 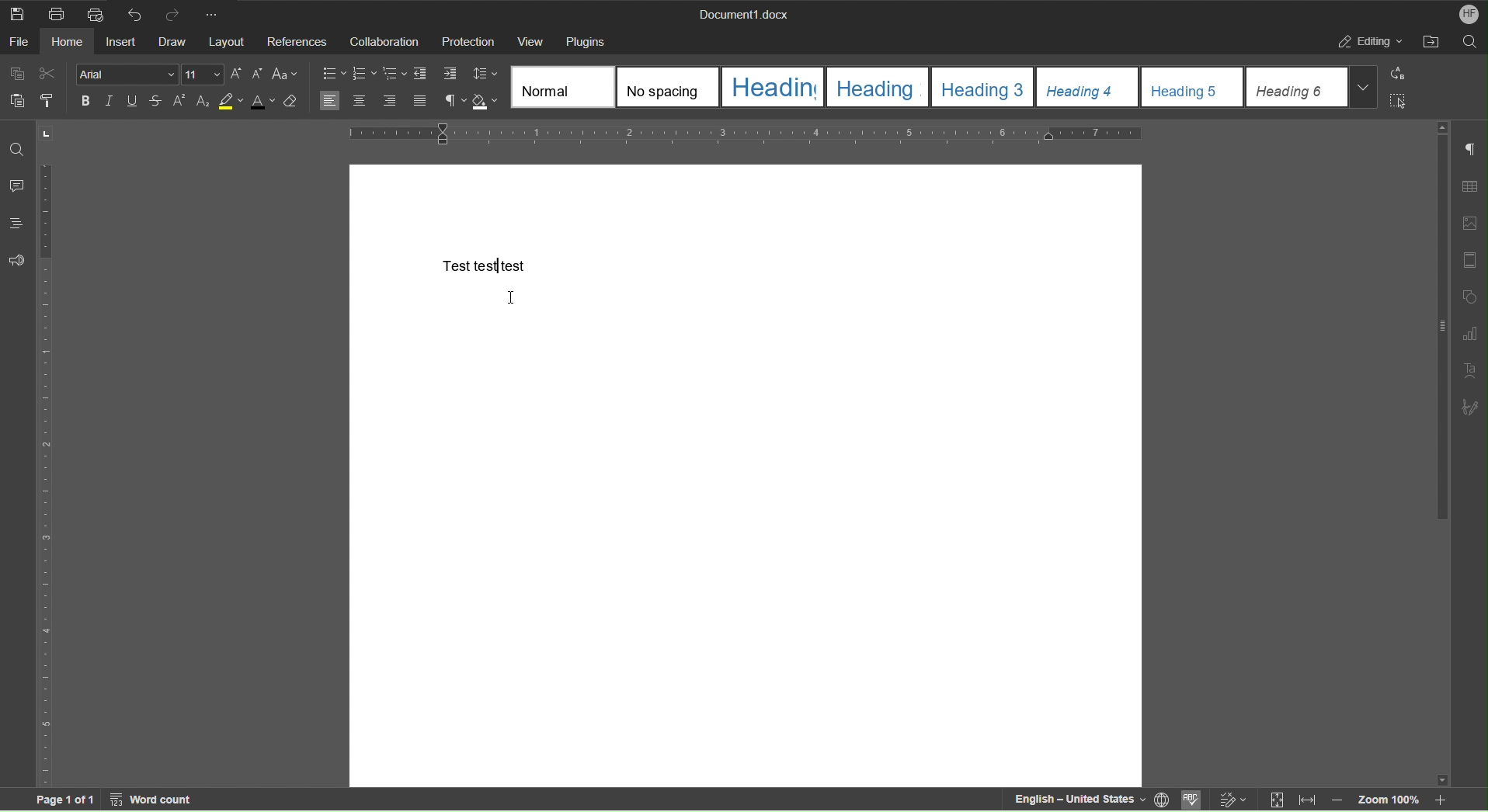 I want to click on Strikethrough, so click(x=158, y=102).